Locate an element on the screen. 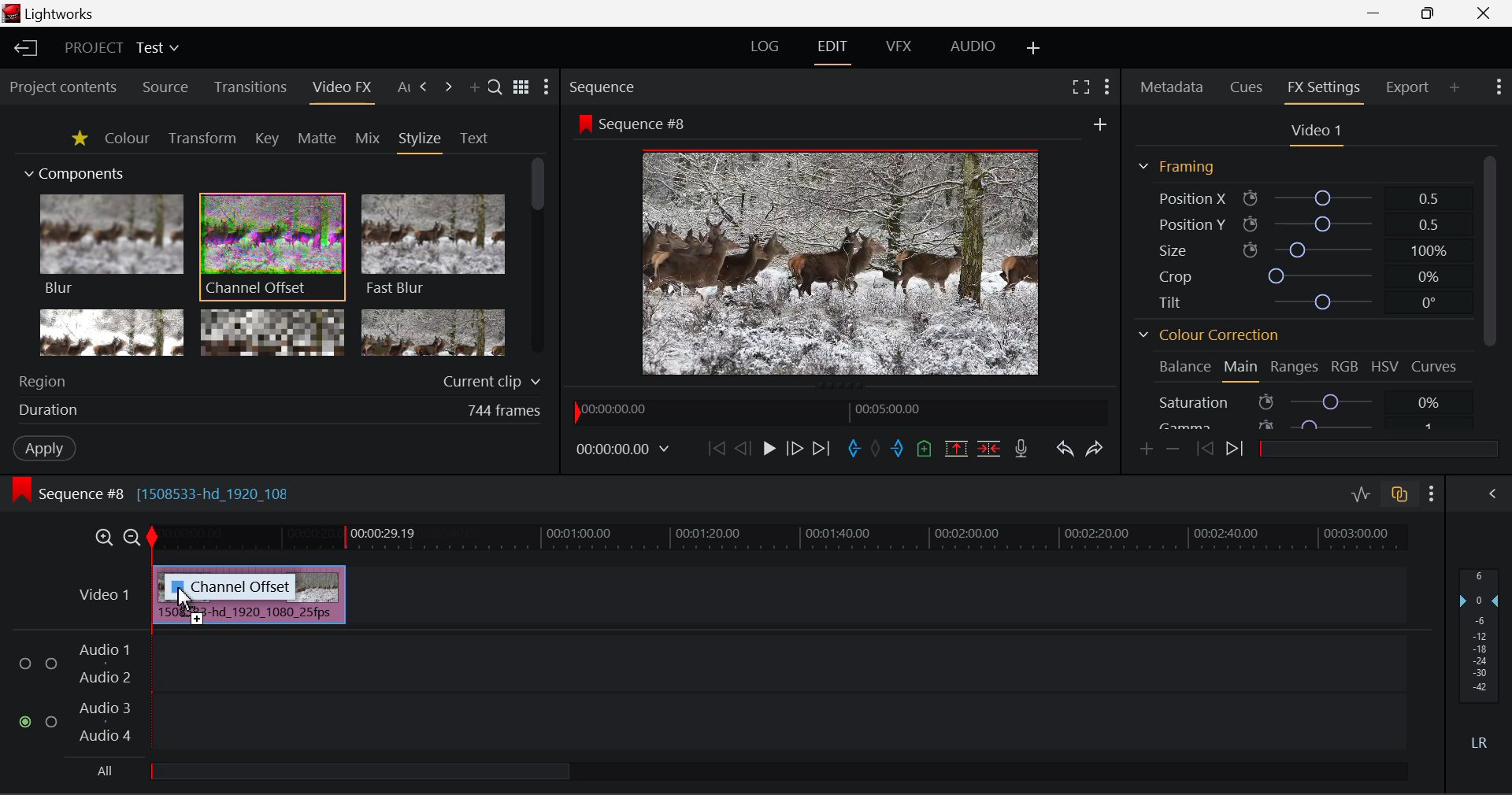 Image resolution: width=1512 pixels, height=795 pixels. Play is located at coordinates (767, 449).